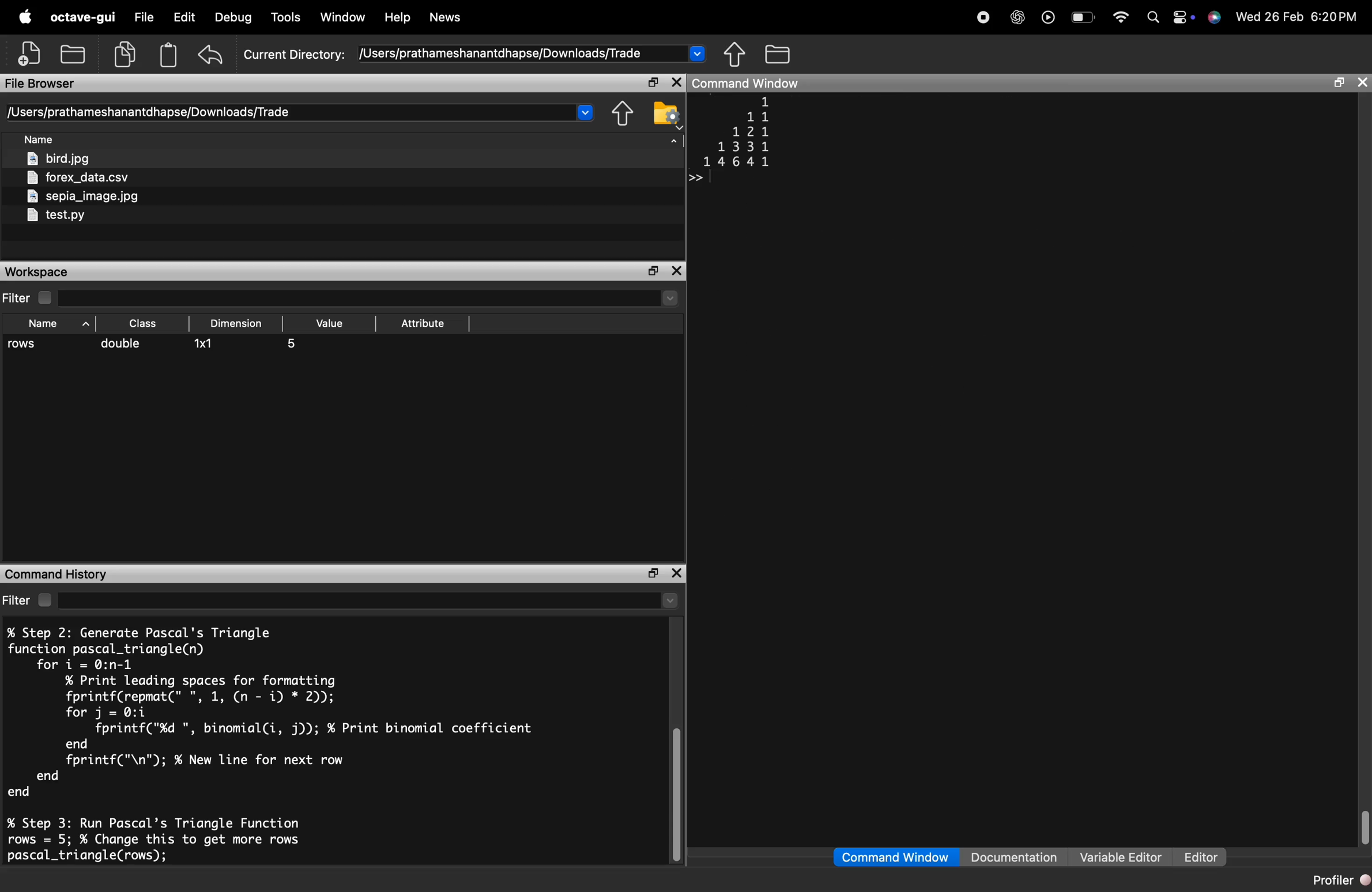 The width and height of the screenshot is (1372, 892). I want to click on Current Directory:, so click(293, 55).